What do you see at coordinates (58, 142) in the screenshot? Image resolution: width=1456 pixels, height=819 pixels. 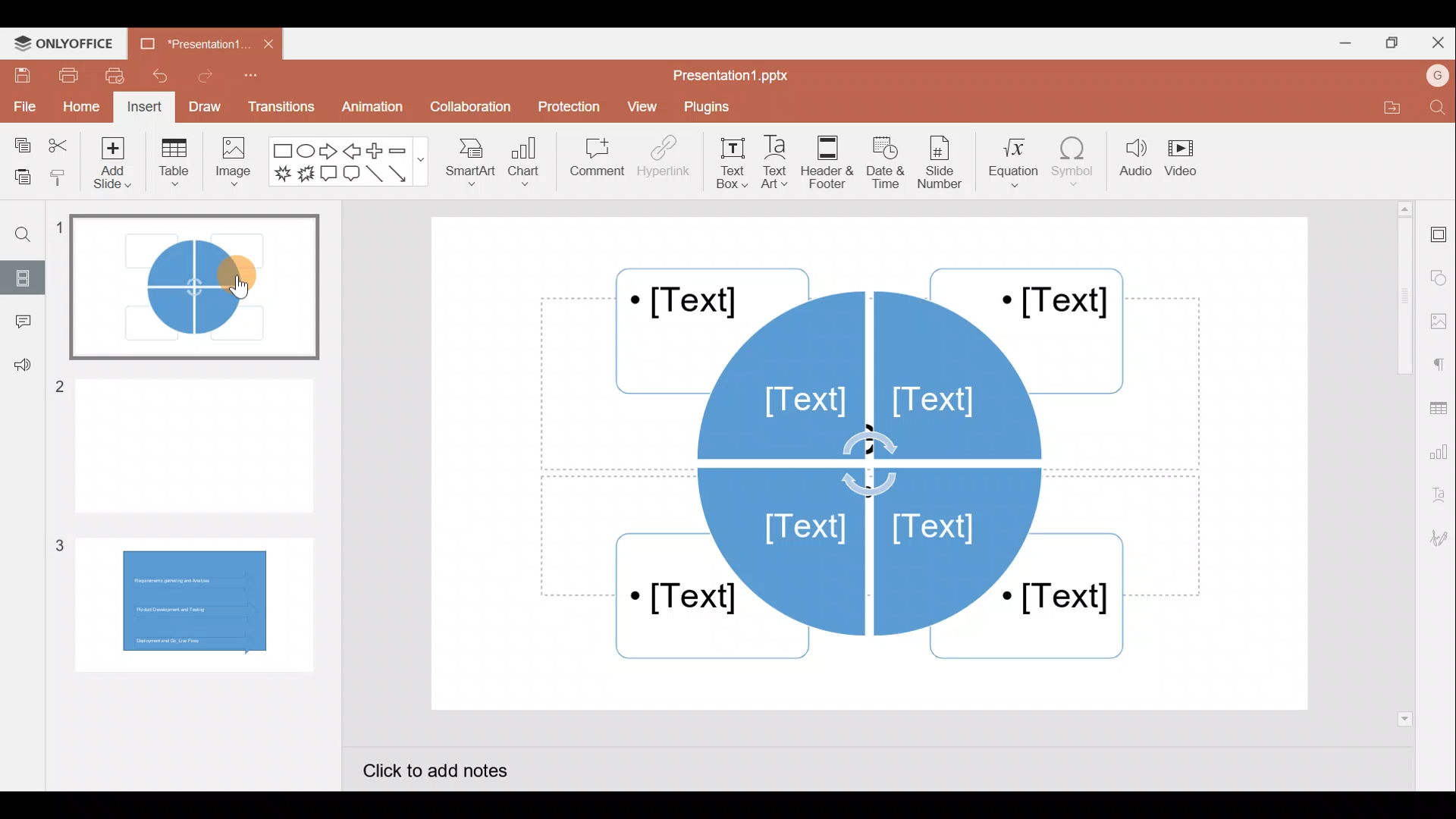 I see `Cut` at bounding box center [58, 142].